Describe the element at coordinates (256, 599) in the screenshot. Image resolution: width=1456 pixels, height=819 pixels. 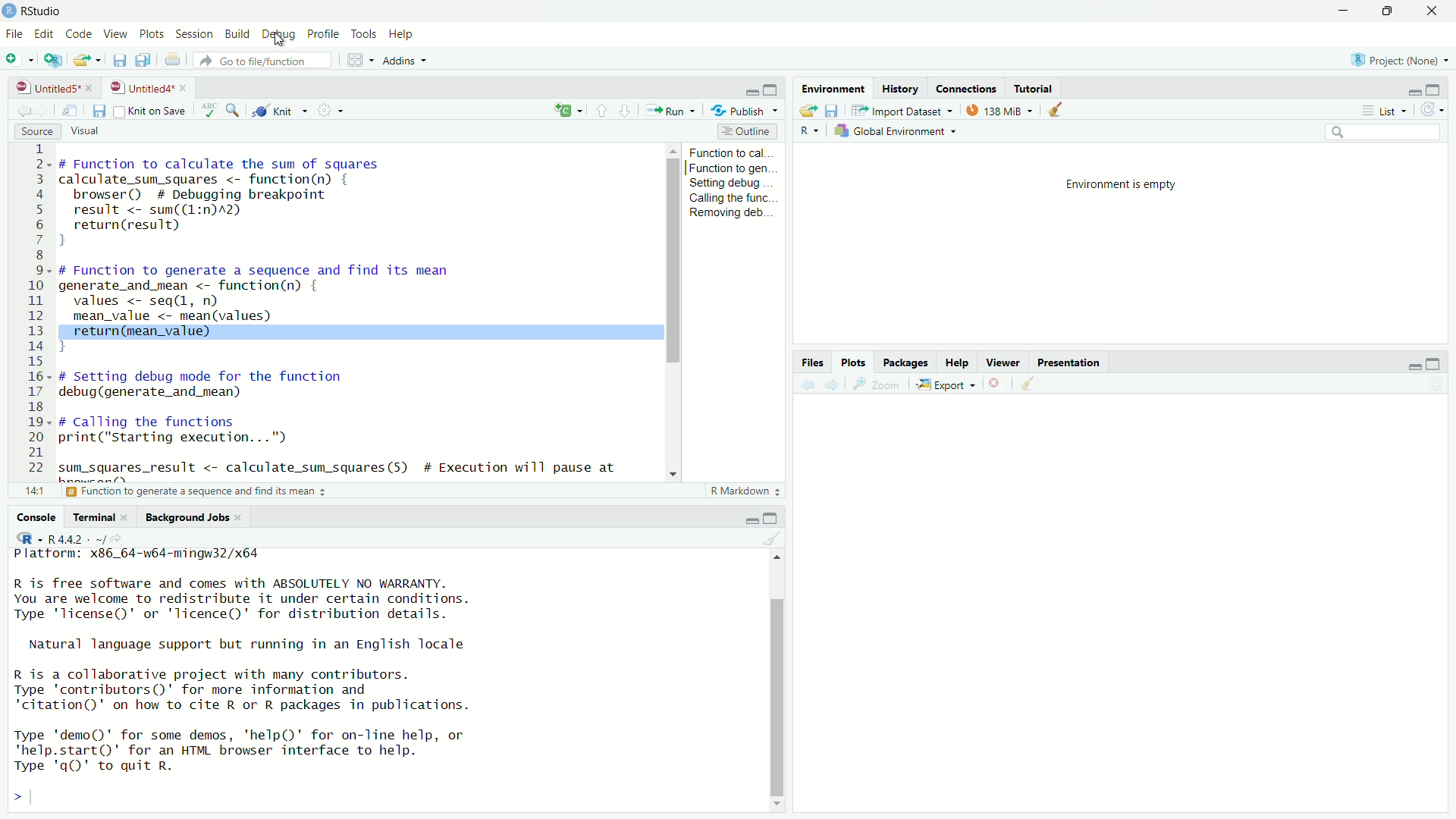
I see `R is free software and comes with ABSOLUTELY NO WARRANTY.
You are welcome to redistribute it under certain conditions.
Type 'Ticense()' or 'licence()' for distribution details.` at that location.